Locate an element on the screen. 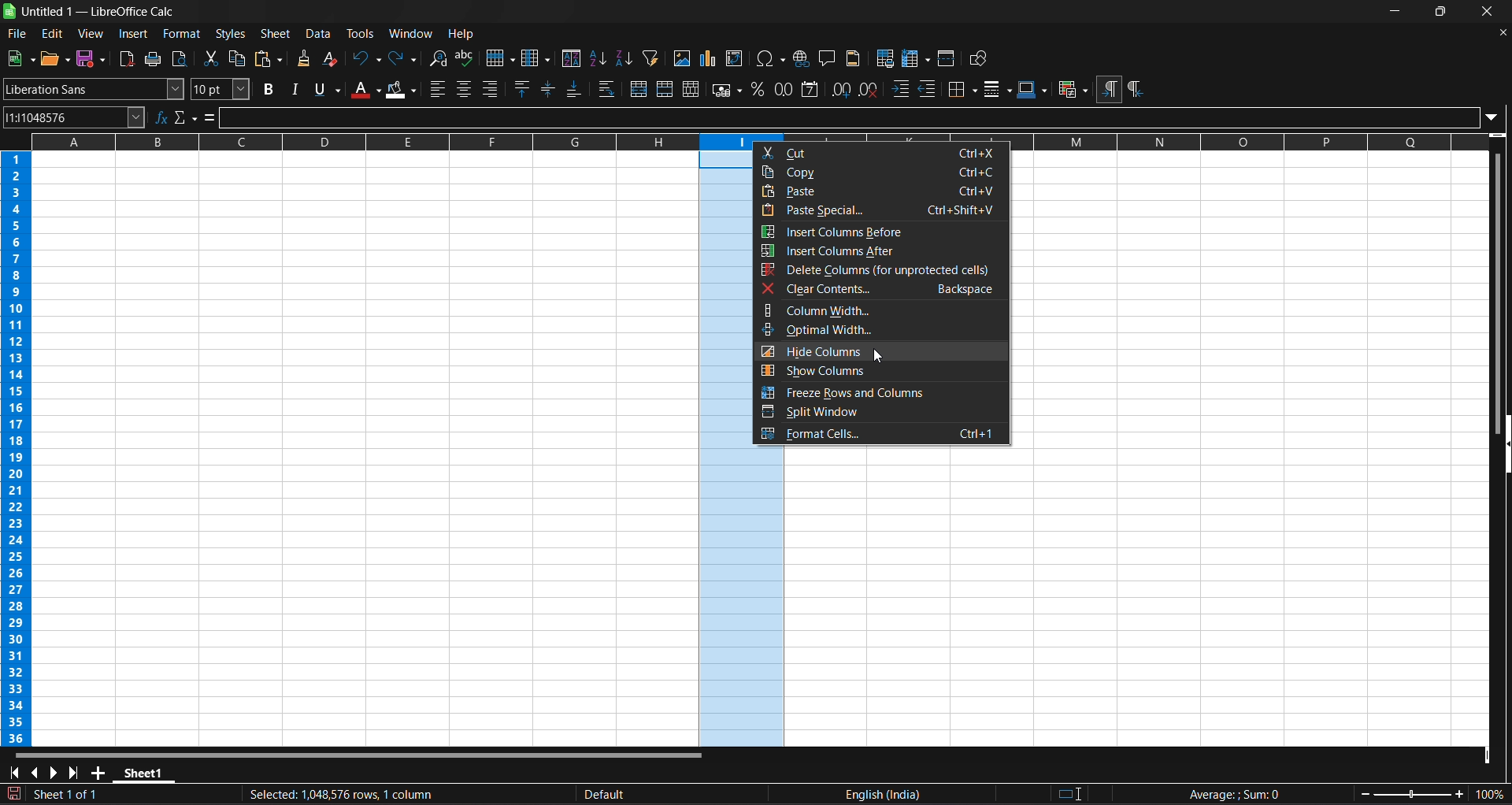  column width is located at coordinates (881, 310).